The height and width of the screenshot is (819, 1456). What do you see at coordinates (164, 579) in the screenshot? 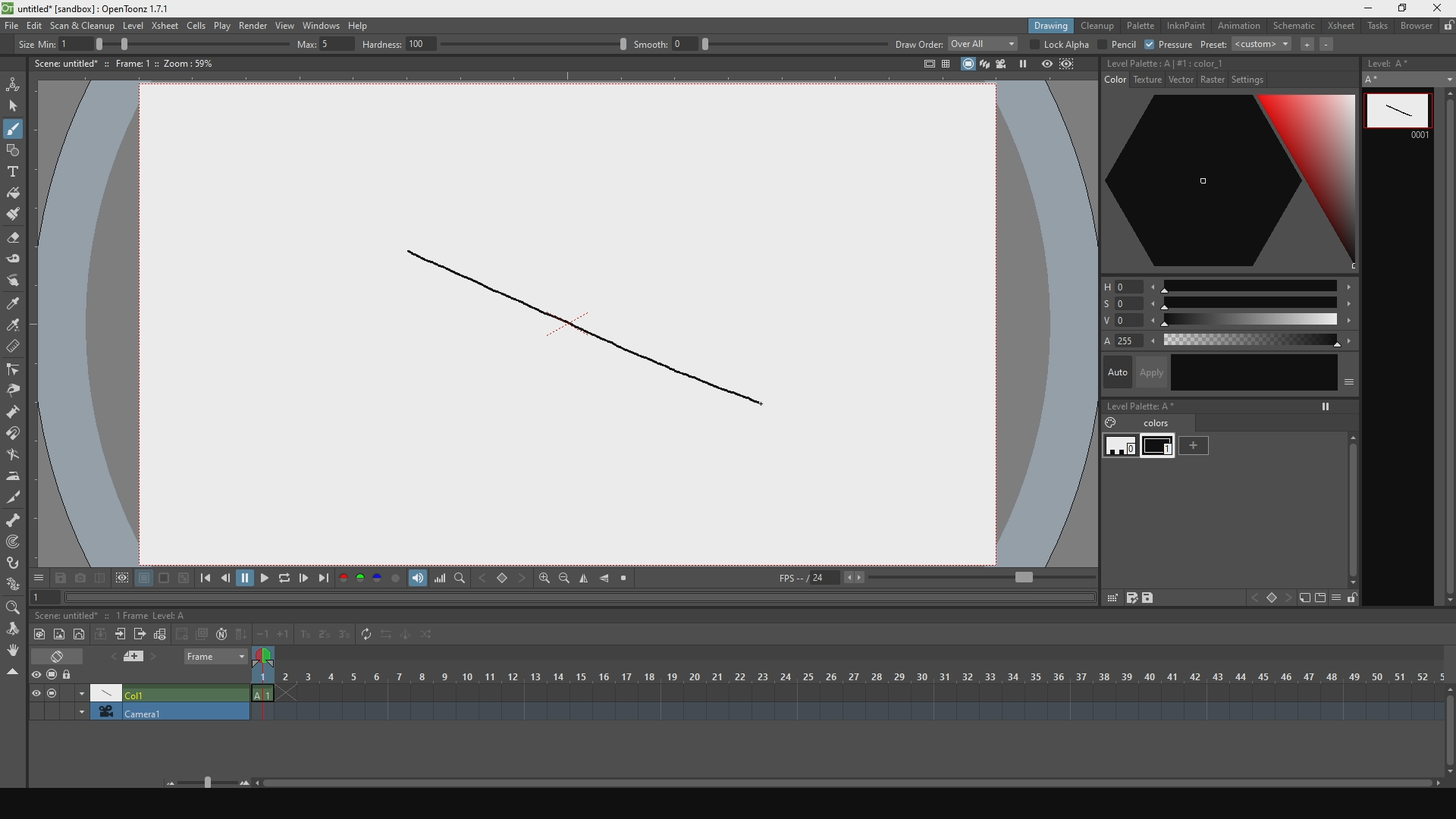
I see `black background` at bounding box center [164, 579].